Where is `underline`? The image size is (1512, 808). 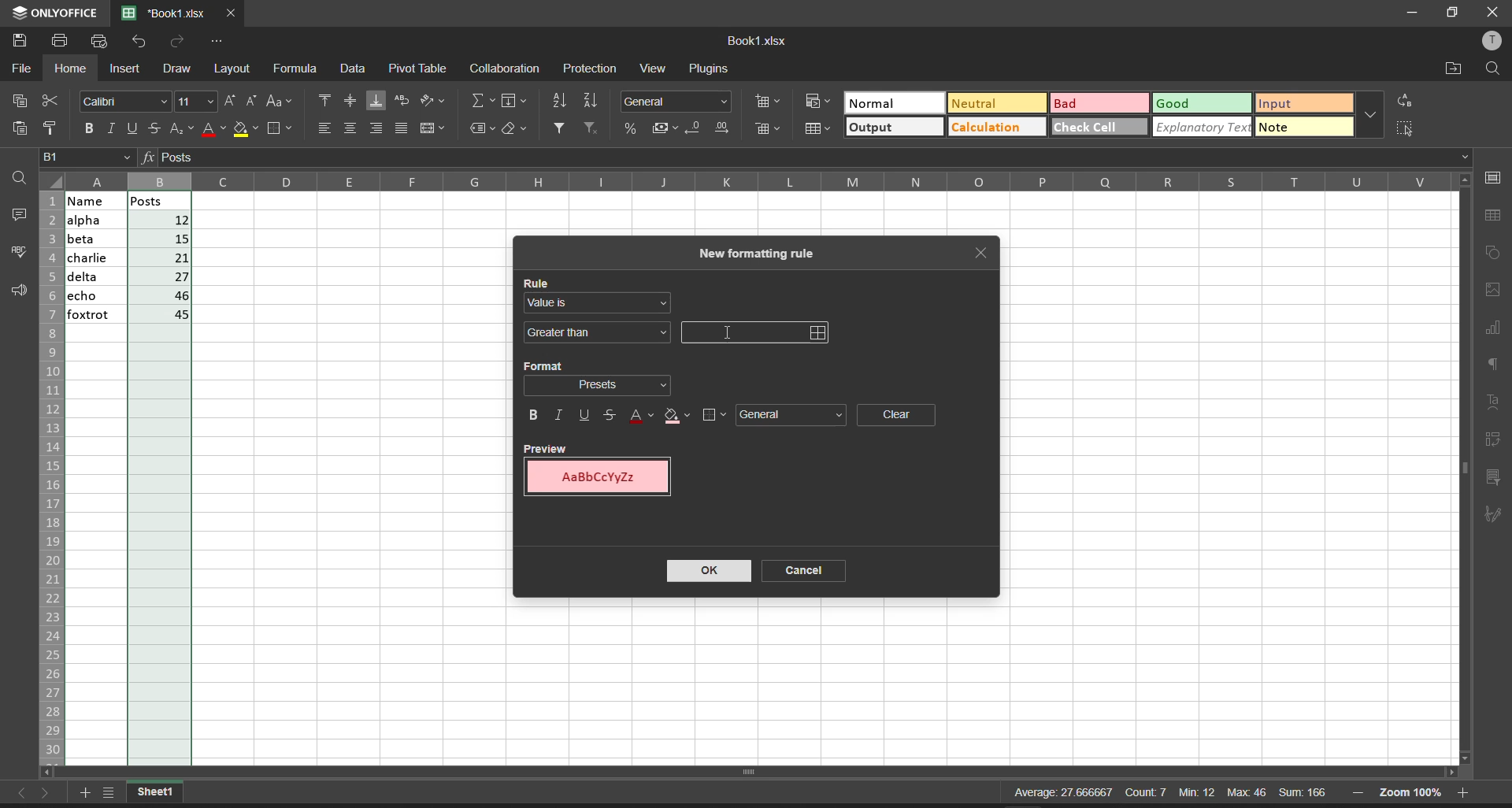 underline is located at coordinates (586, 414).